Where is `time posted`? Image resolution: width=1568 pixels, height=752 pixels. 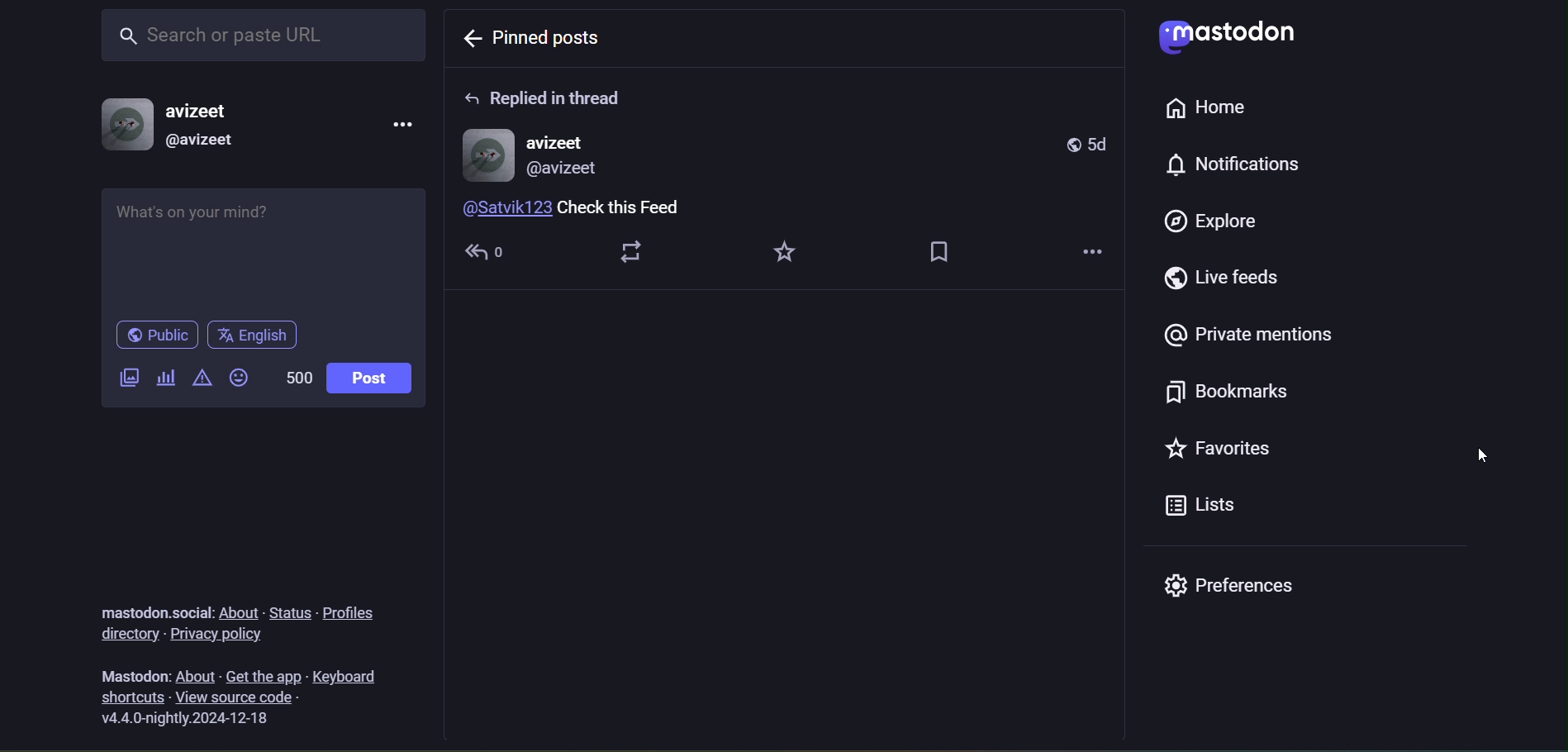
time posted is located at coordinates (1104, 144).